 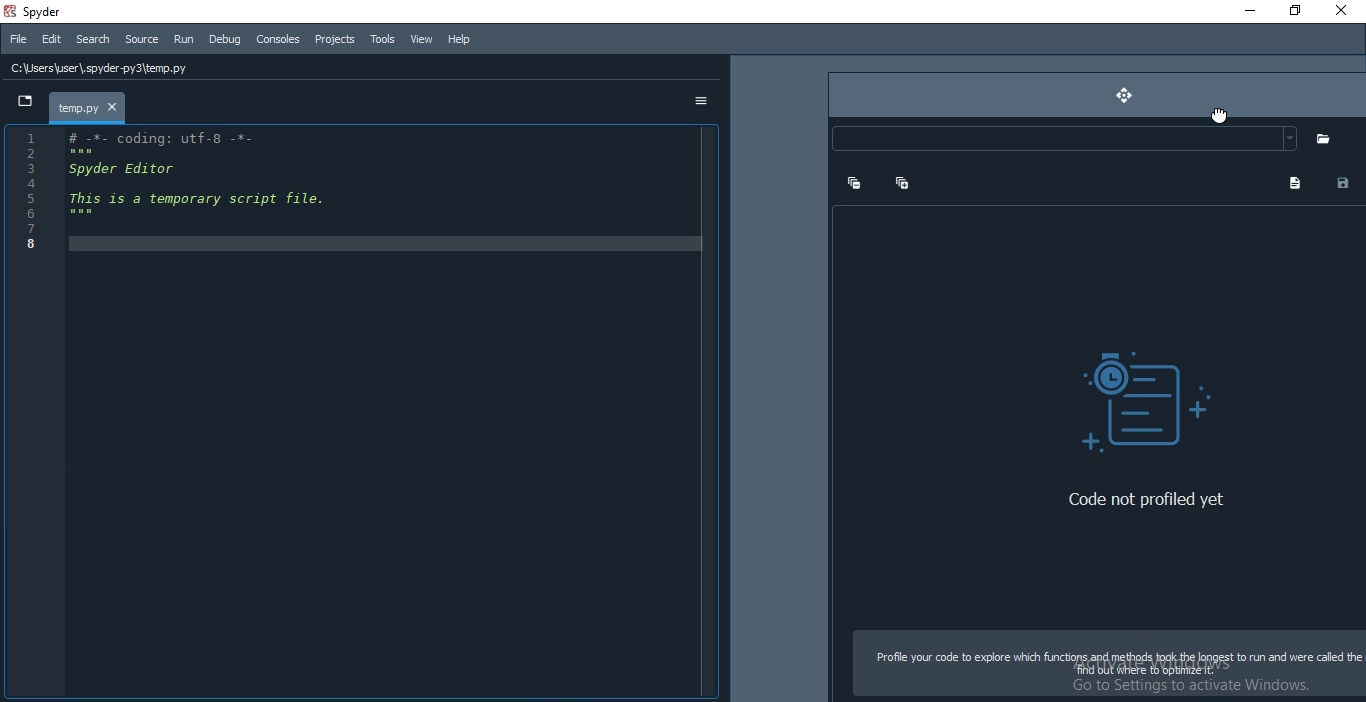 What do you see at coordinates (1292, 139) in the screenshot?
I see `dropdown` at bounding box center [1292, 139].